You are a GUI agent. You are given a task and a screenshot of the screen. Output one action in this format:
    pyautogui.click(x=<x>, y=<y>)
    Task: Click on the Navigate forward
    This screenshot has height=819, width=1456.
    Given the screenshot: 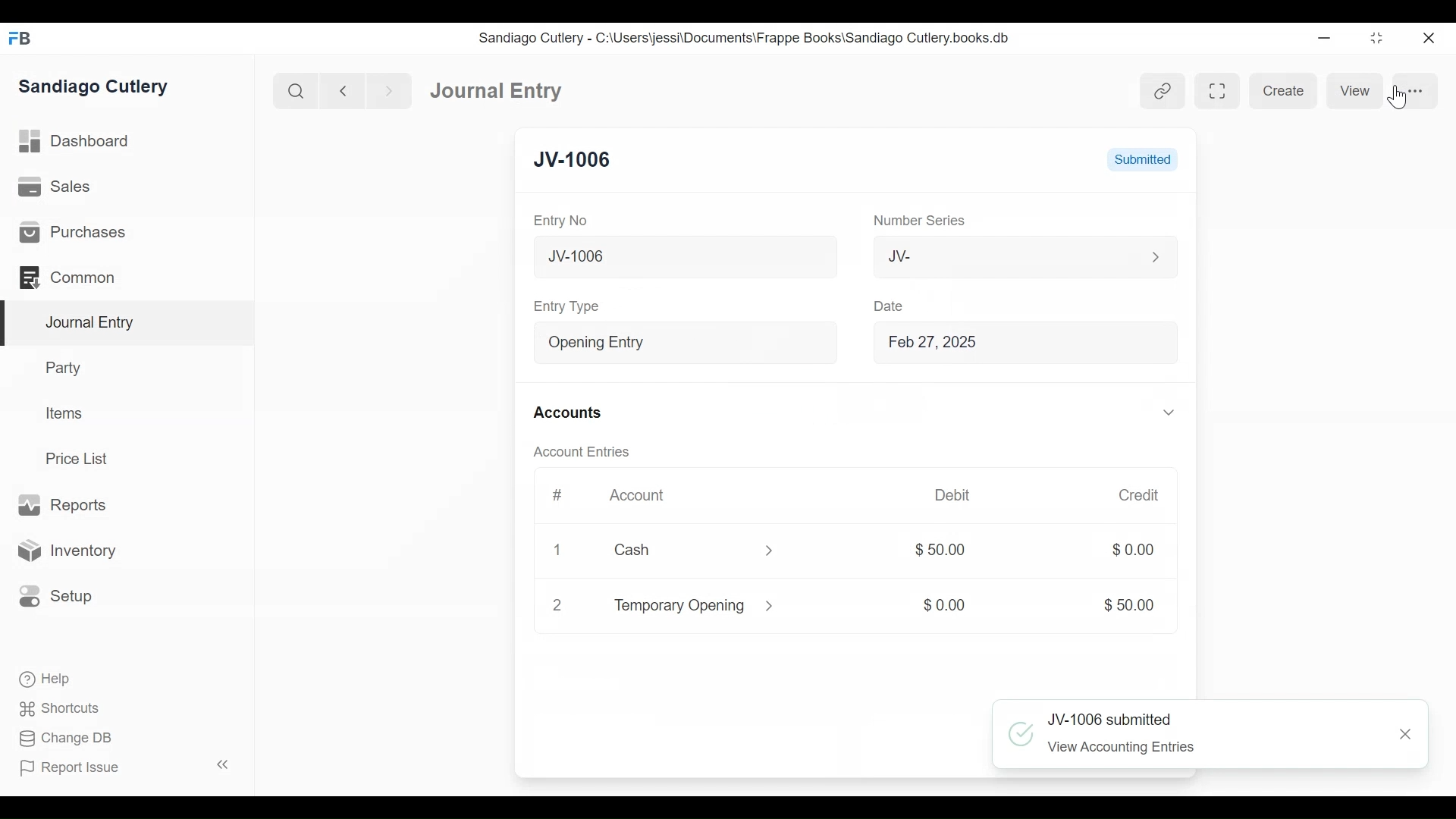 What is the action you would take?
    pyautogui.click(x=388, y=91)
    